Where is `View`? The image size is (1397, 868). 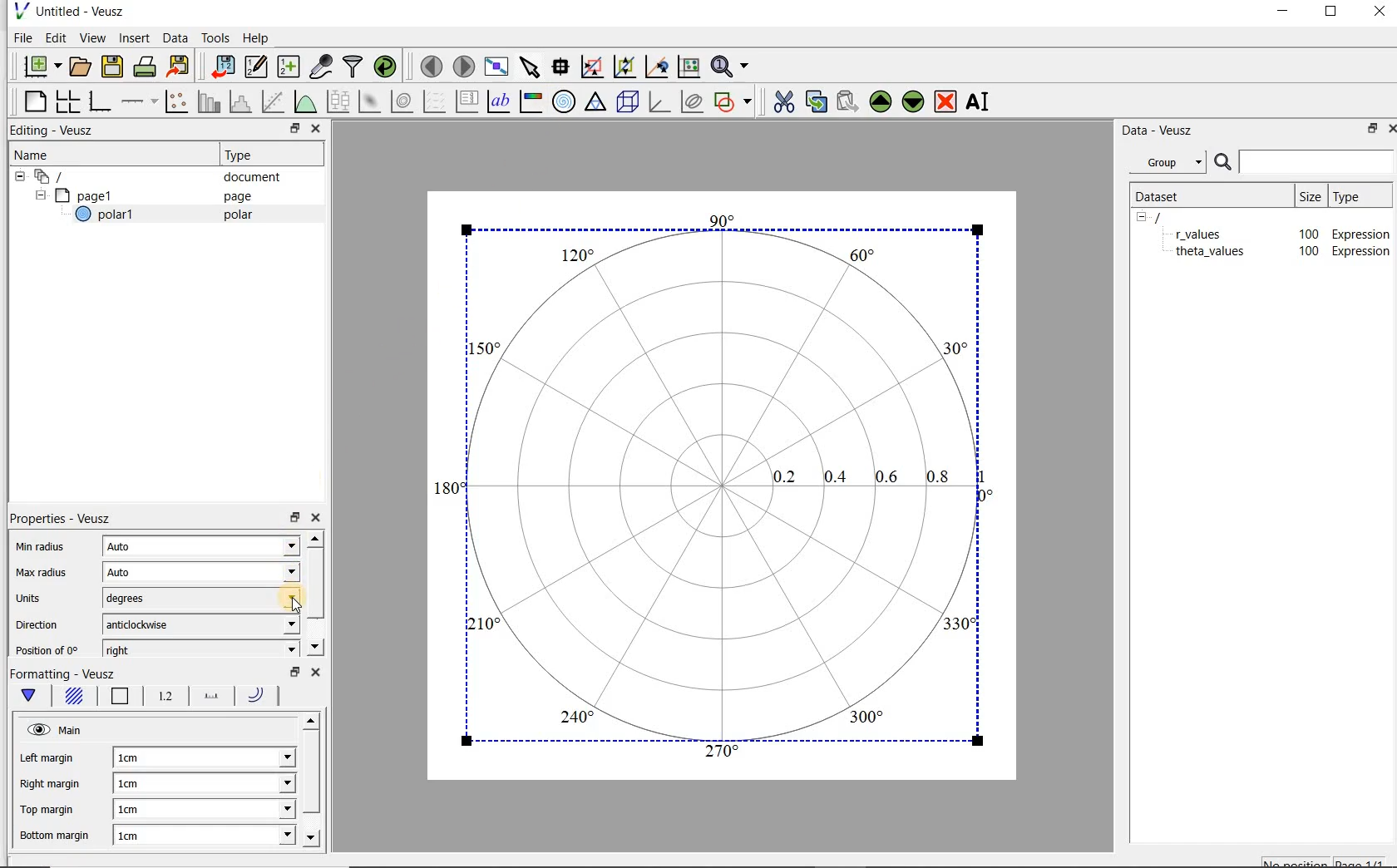
View is located at coordinates (92, 36).